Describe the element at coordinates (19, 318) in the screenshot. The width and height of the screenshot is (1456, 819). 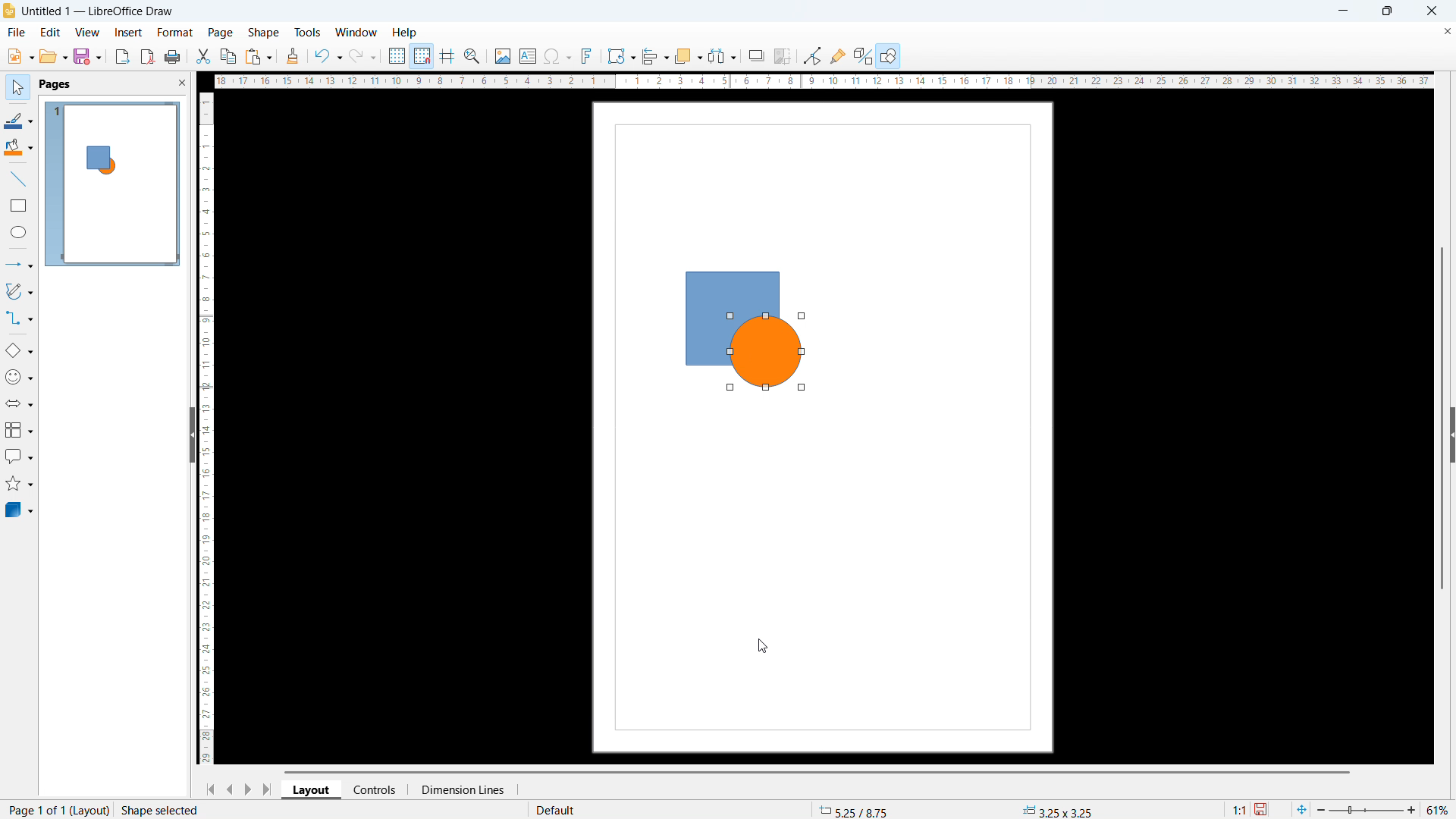
I see `Connectors ` at that location.